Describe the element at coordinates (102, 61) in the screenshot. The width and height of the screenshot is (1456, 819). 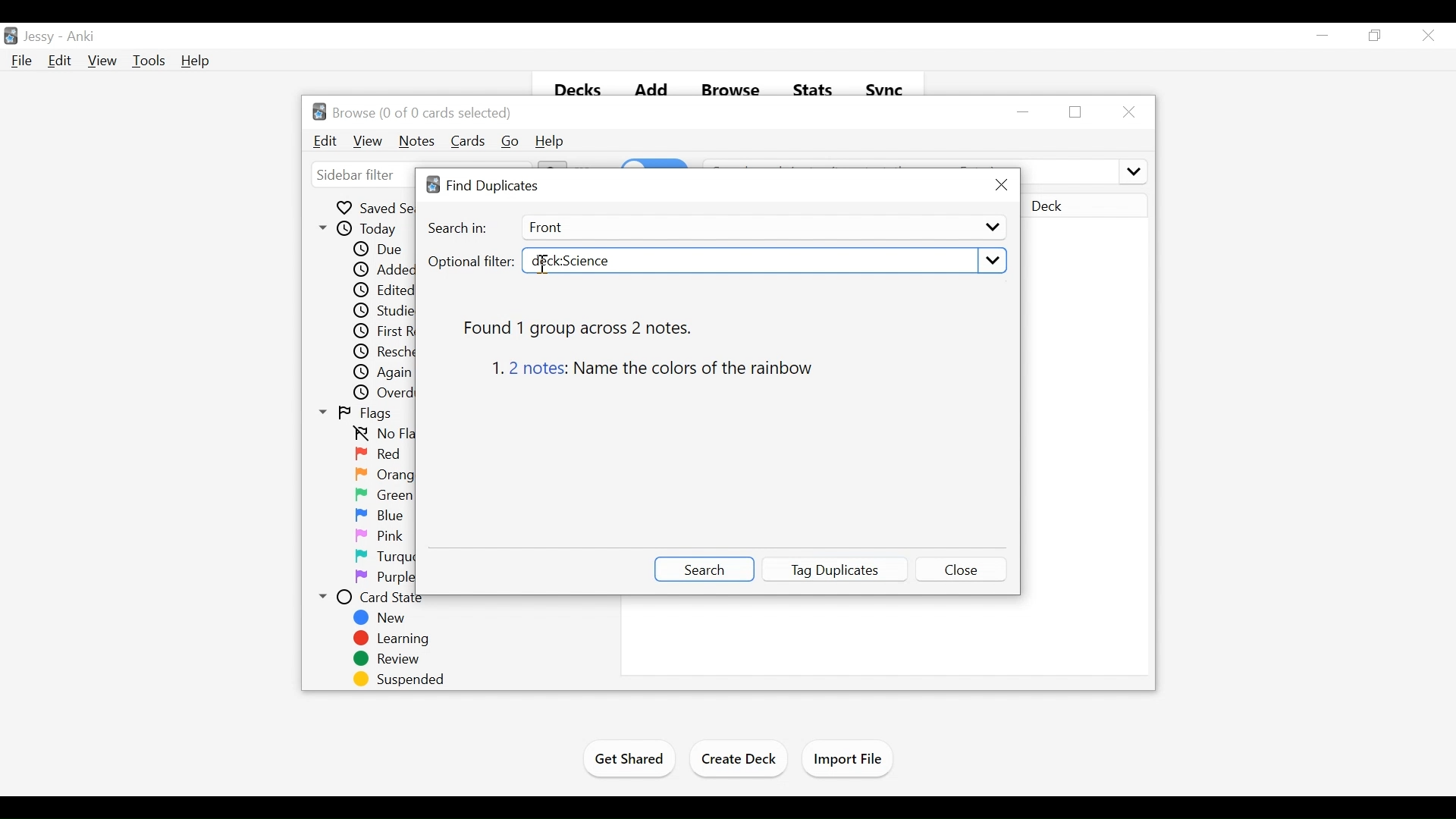
I see `View` at that location.